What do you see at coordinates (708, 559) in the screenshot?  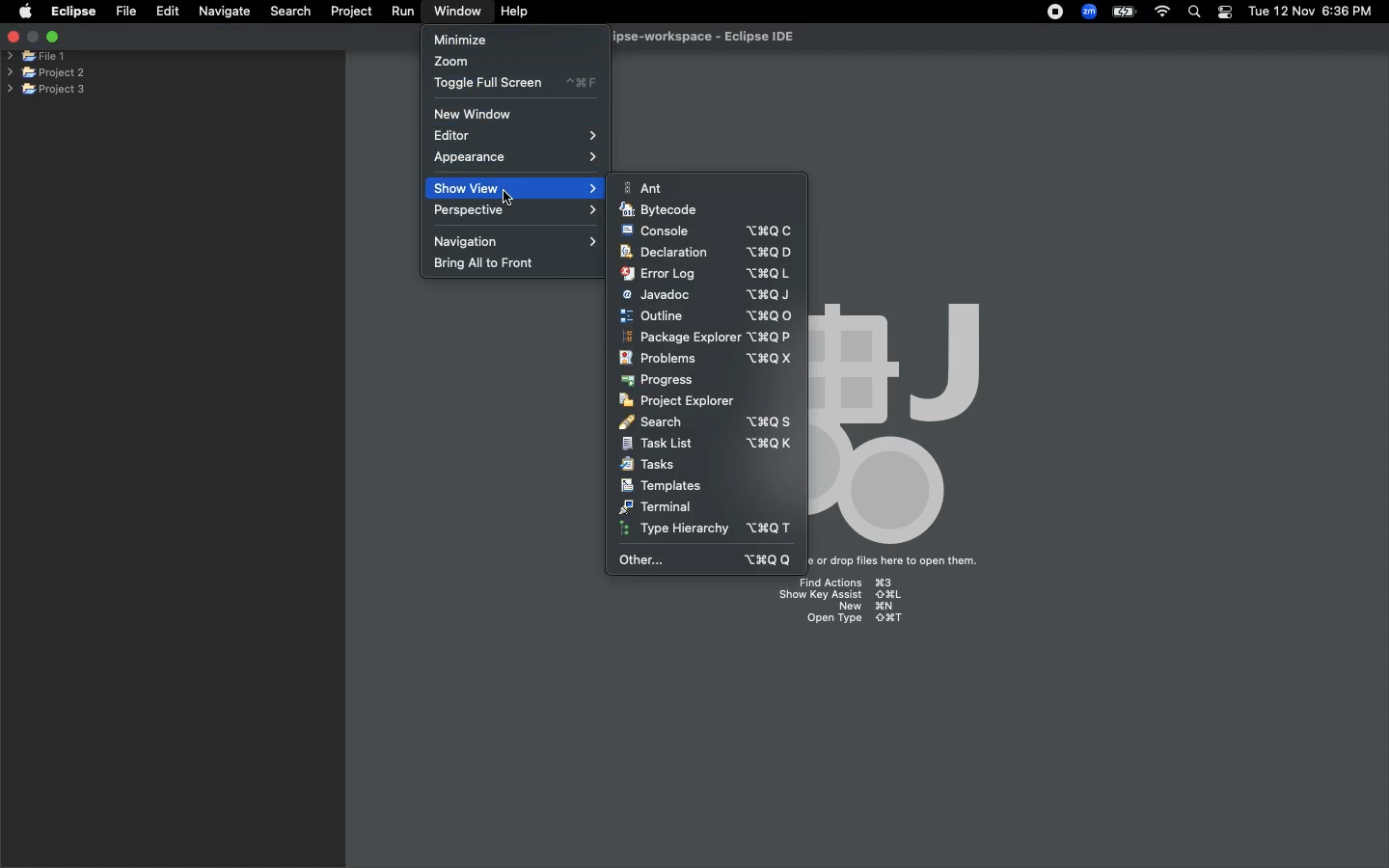 I see `Other` at bounding box center [708, 559].